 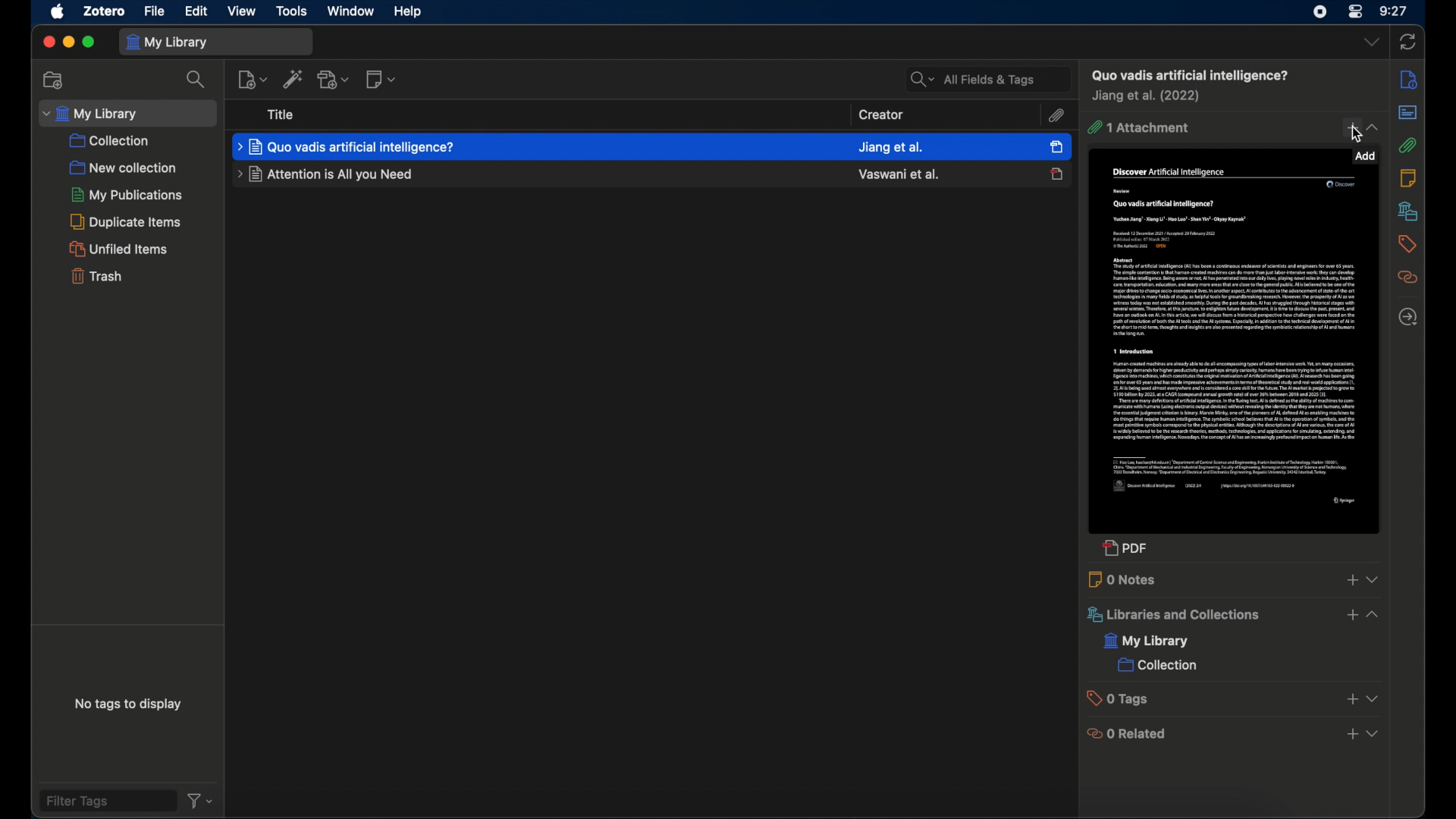 What do you see at coordinates (1128, 733) in the screenshot?
I see `0 related` at bounding box center [1128, 733].